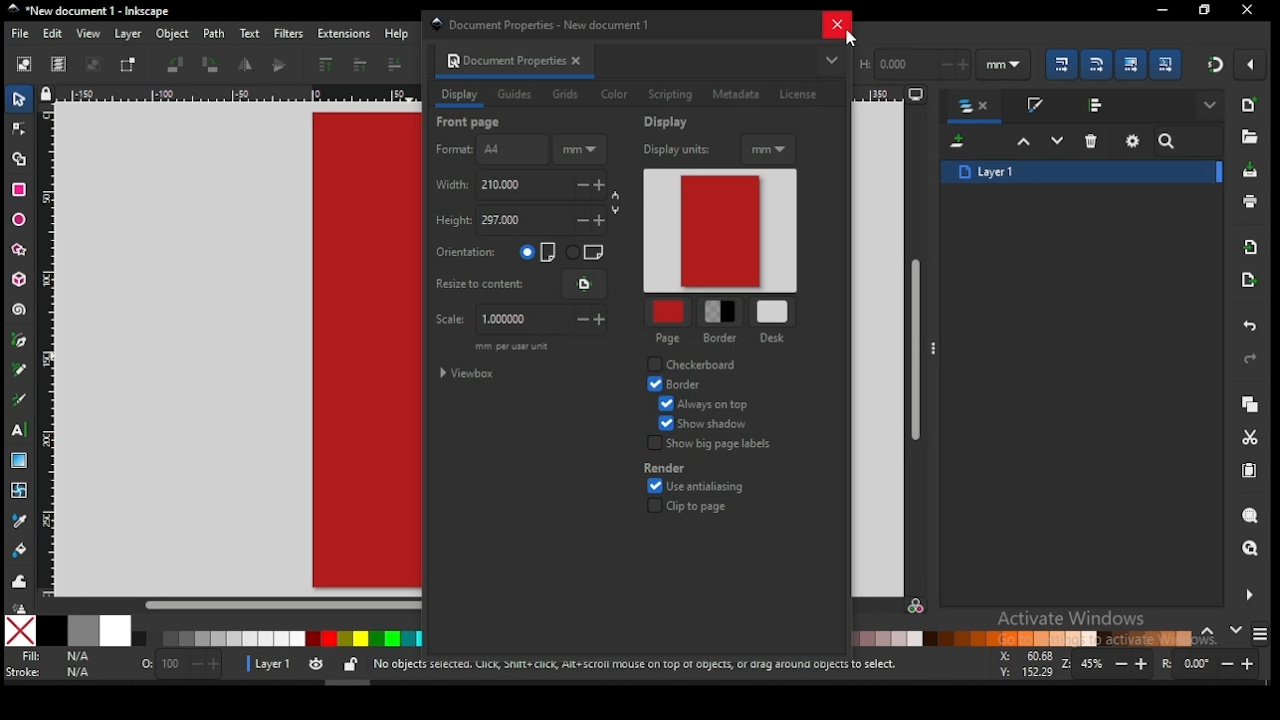 The width and height of the screenshot is (1280, 720). I want to click on width, so click(530, 185).